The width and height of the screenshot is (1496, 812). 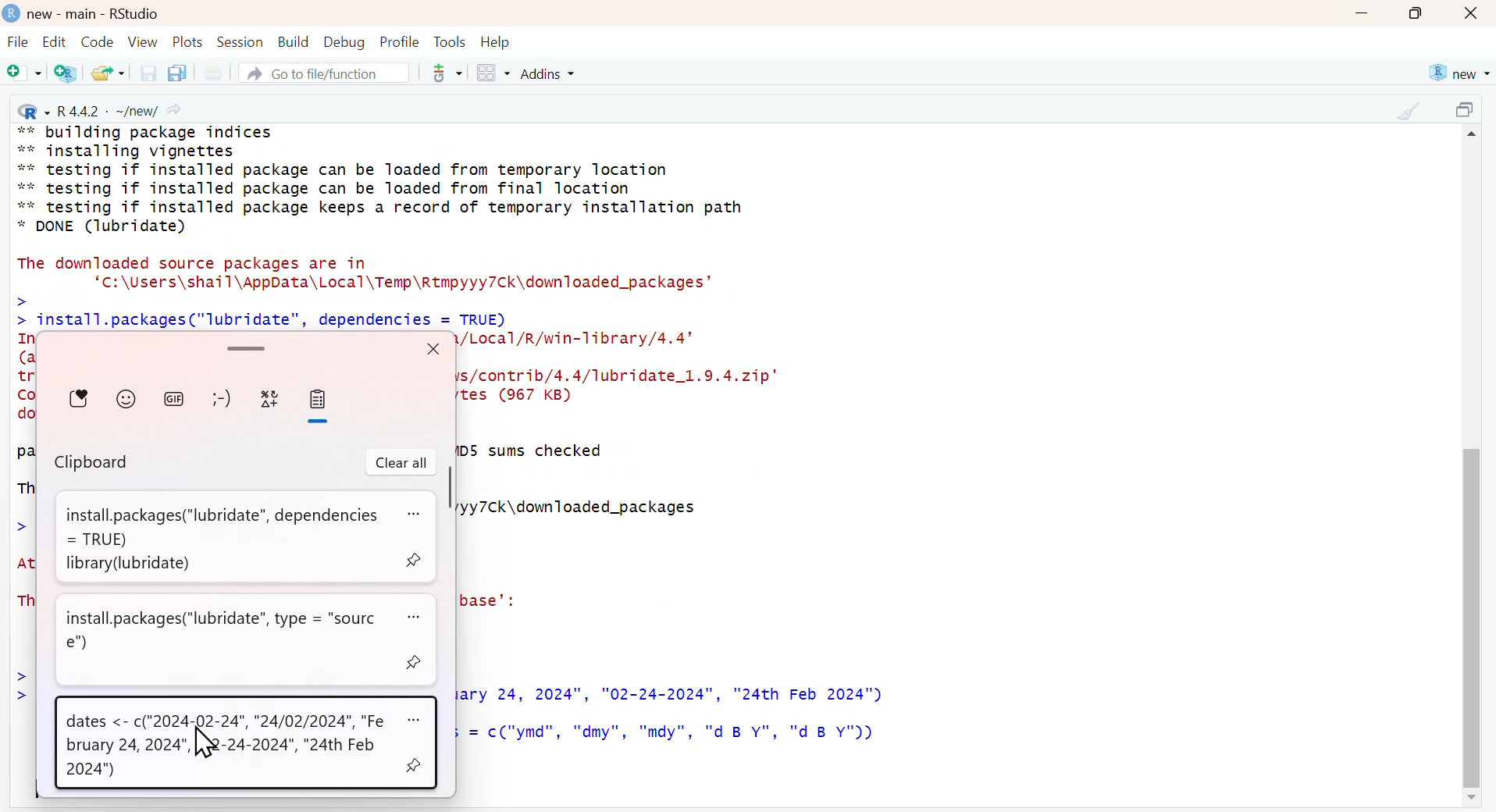 What do you see at coordinates (550, 73) in the screenshot?
I see `Addins` at bounding box center [550, 73].